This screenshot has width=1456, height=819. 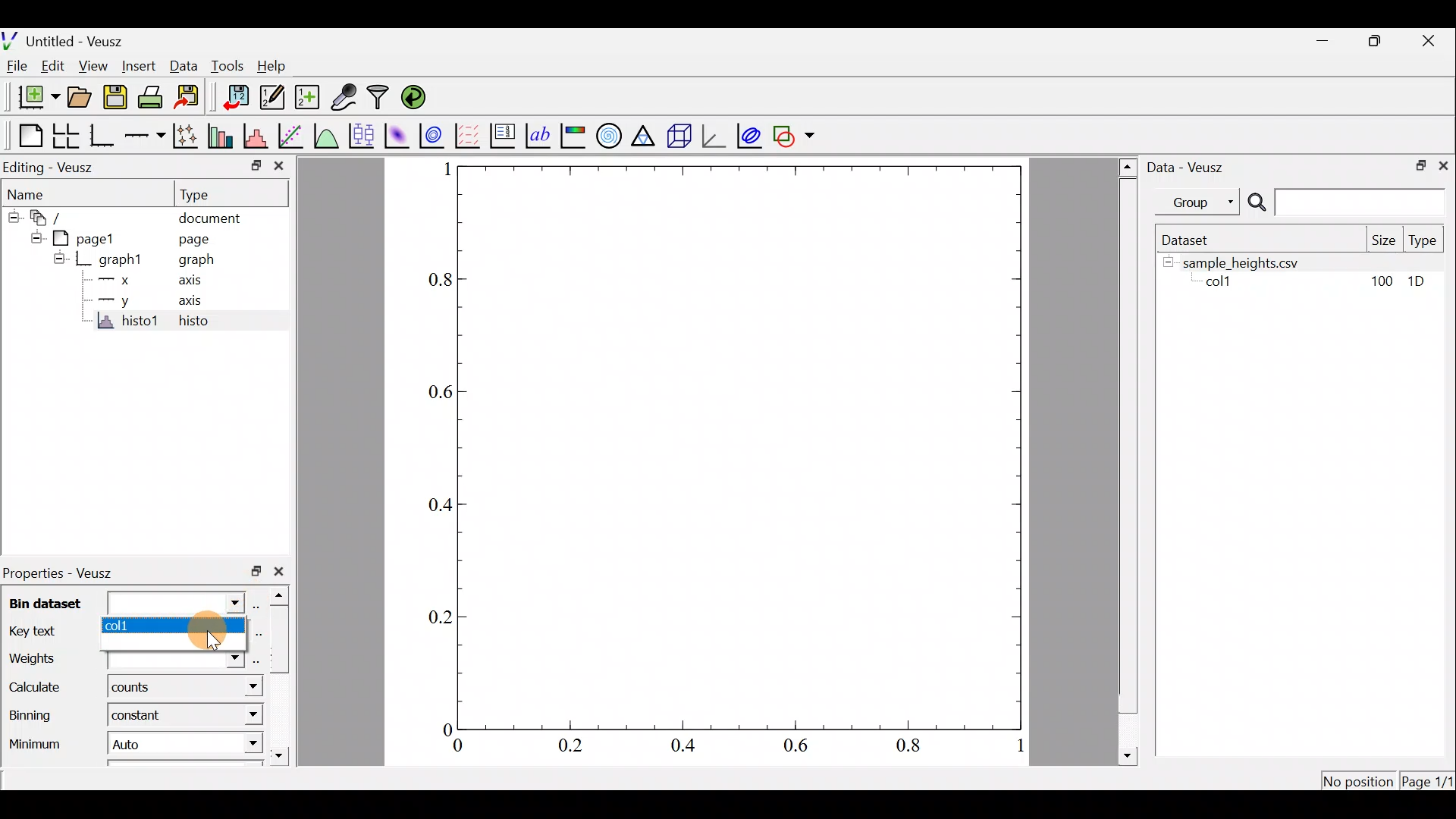 What do you see at coordinates (1384, 282) in the screenshot?
I see `100` at bounding box center [1384, 282].